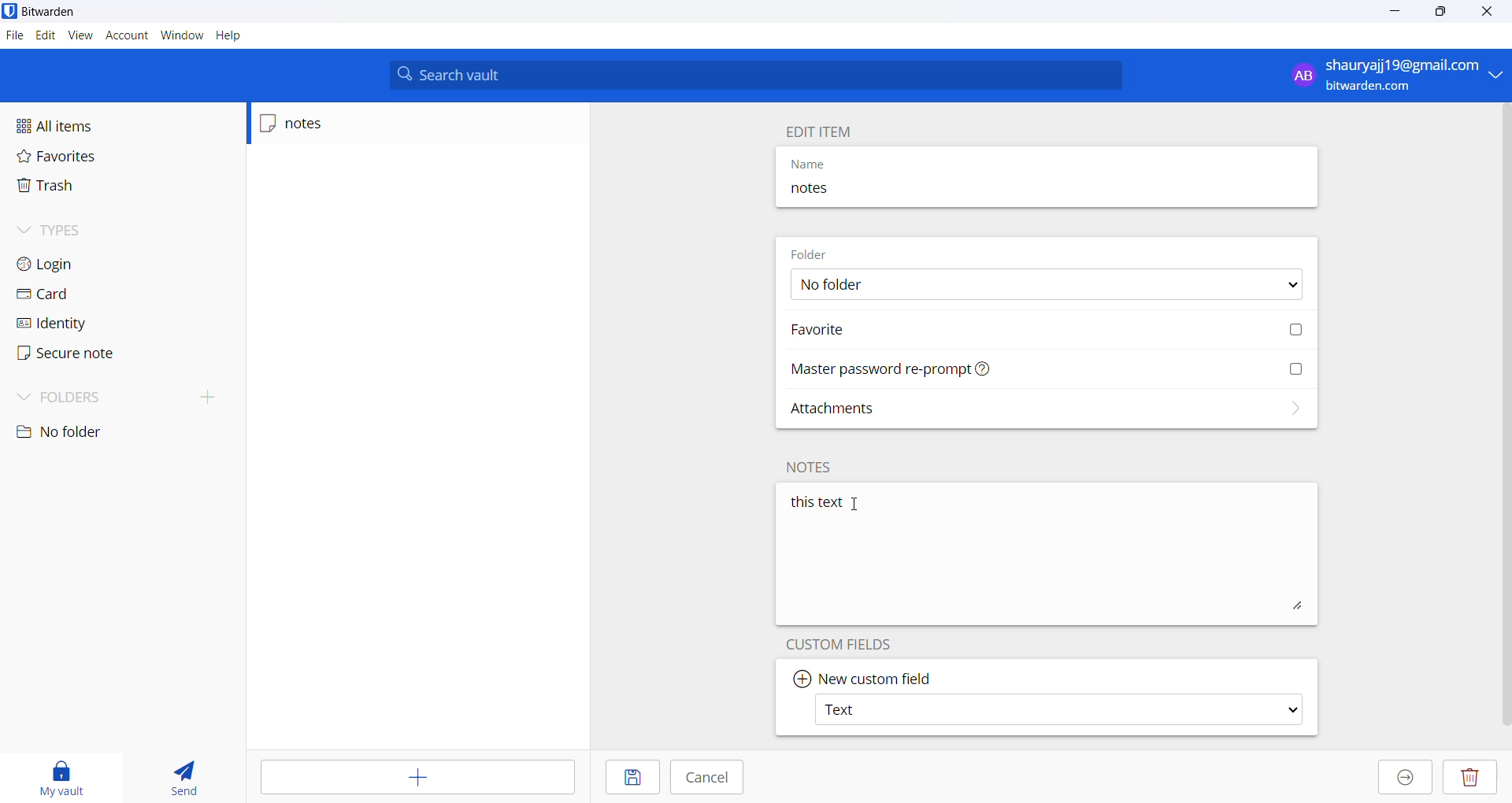 This screenshot has height=803, width=1512. What do you see at coordinates (1472, 779) in the screenshot?
I see `delete` at bounding box center [1472, 779].